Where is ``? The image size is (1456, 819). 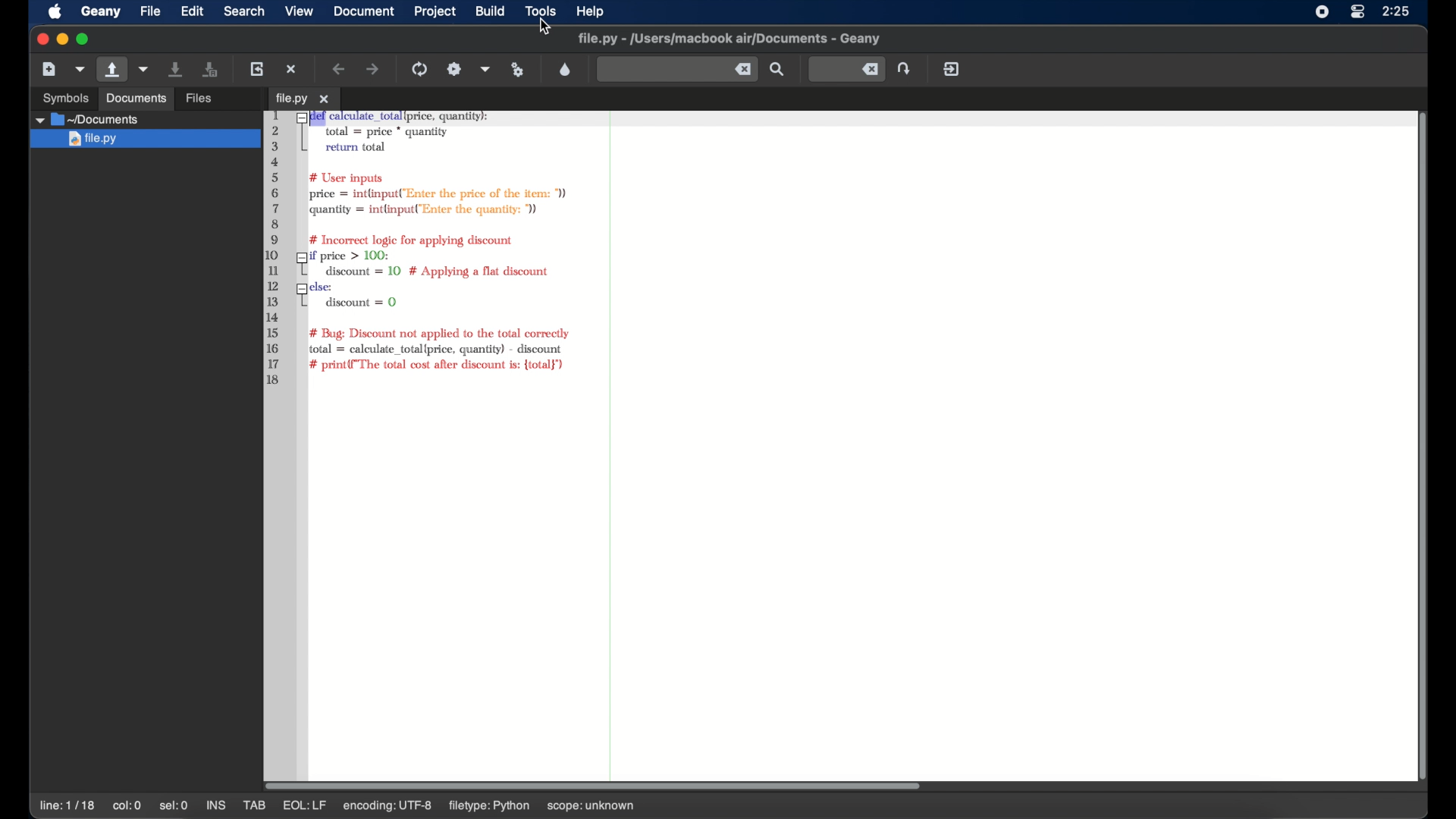  is located at coordinates (136, 99).